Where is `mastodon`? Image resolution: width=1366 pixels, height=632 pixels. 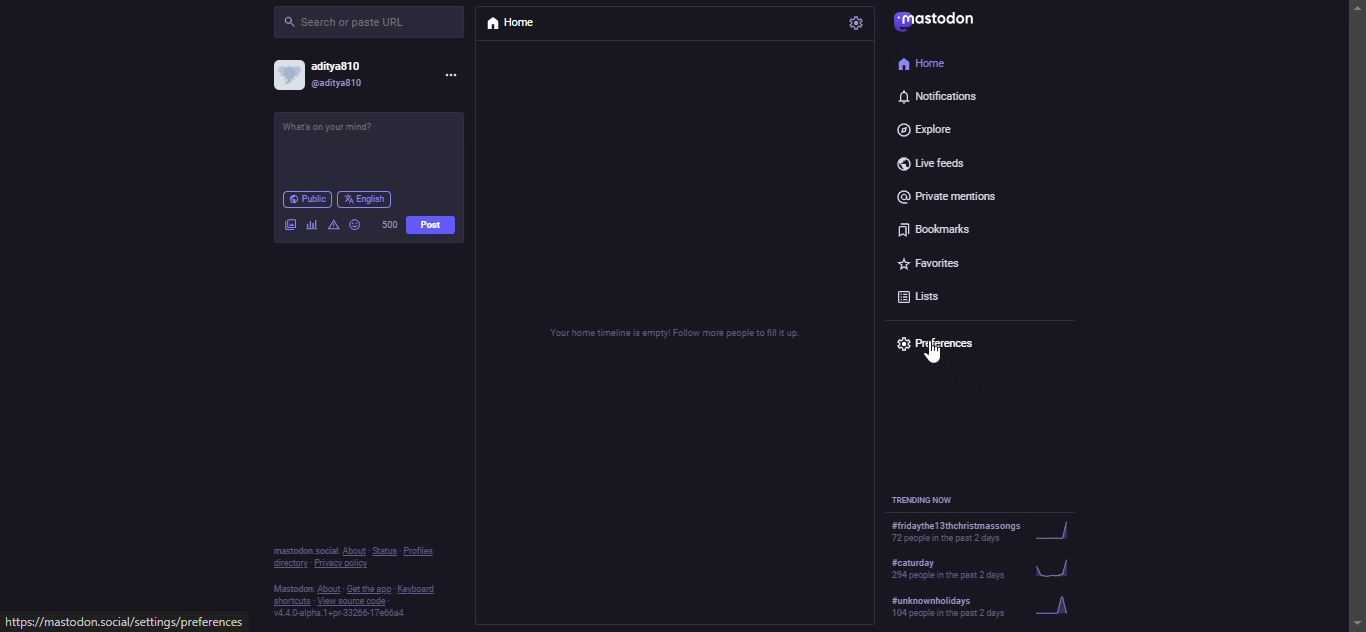 mastodon is located at coordinates (946, 21).